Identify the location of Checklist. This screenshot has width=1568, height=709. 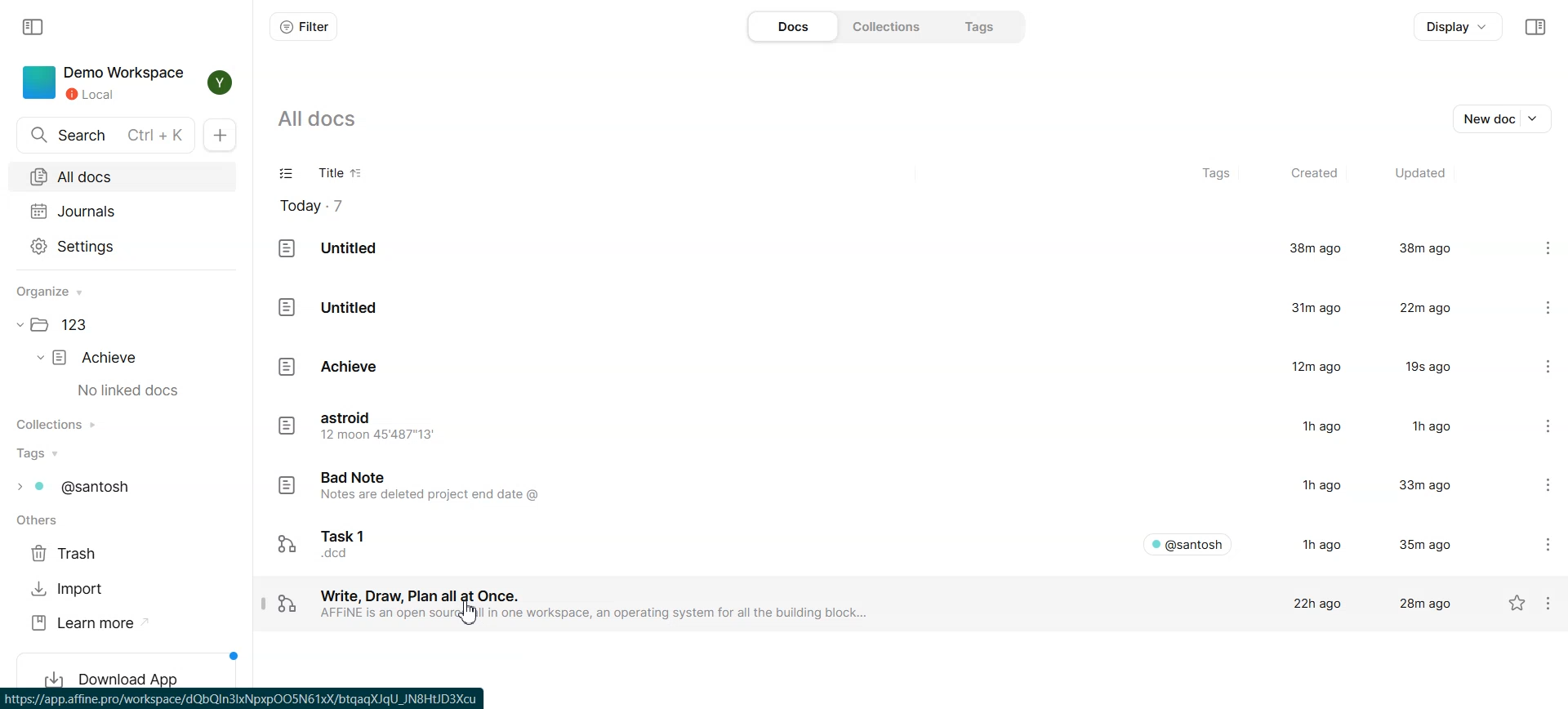
(287, 175).